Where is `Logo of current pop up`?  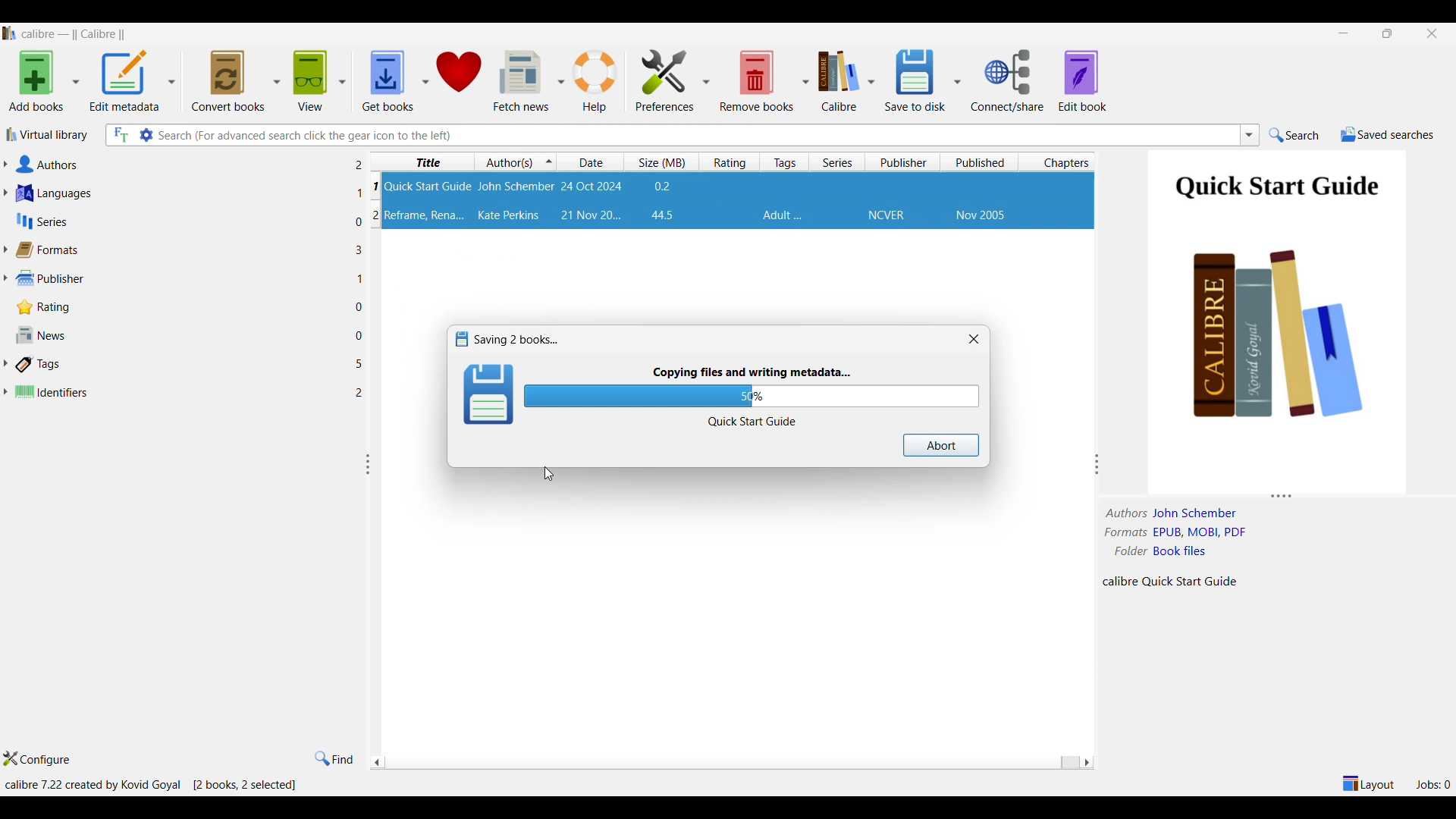 Logo of current pop up is located at coordinates (489, 394).